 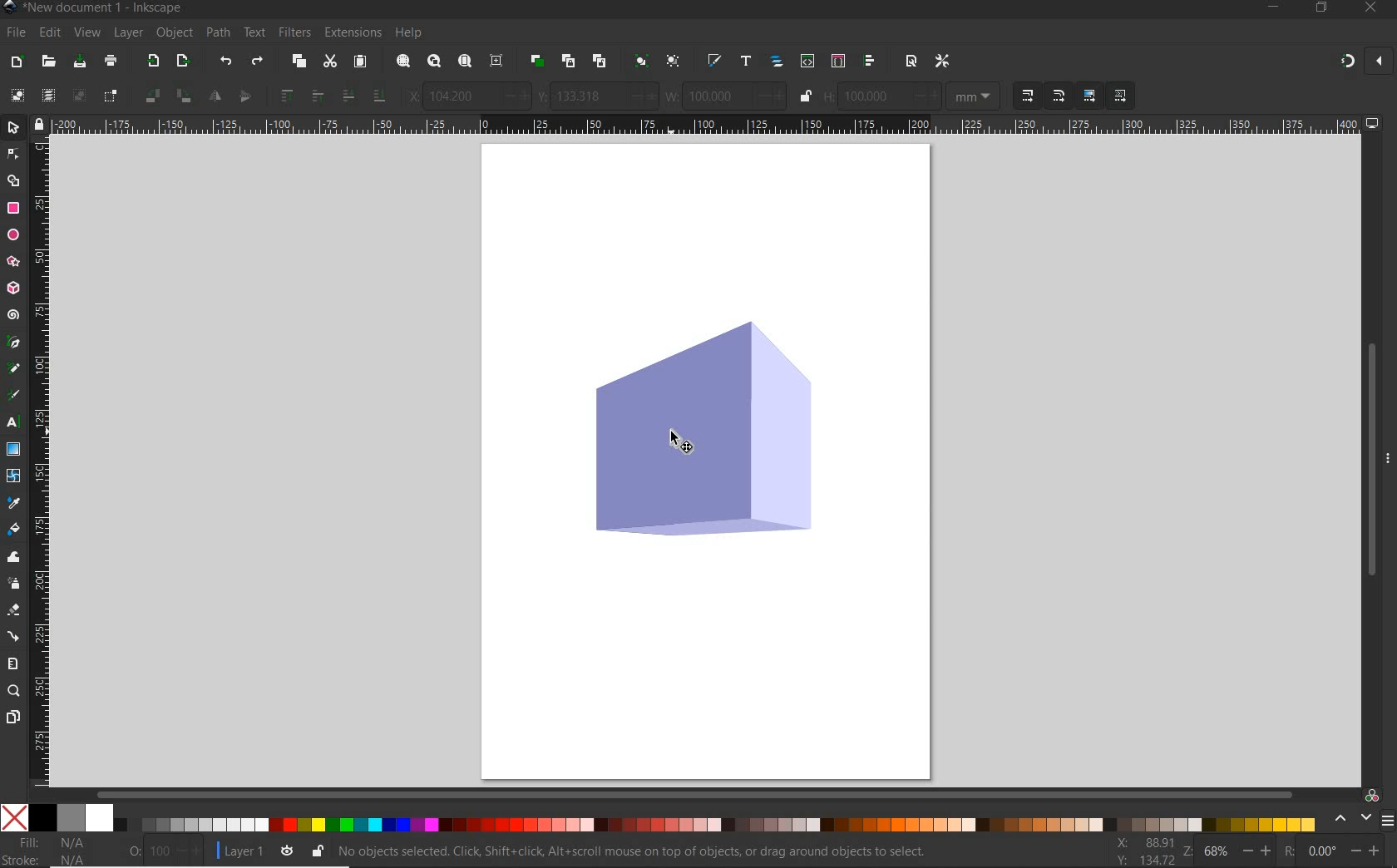 I want to click on LOCK/UNLOCK, so click(x=807, y=96).